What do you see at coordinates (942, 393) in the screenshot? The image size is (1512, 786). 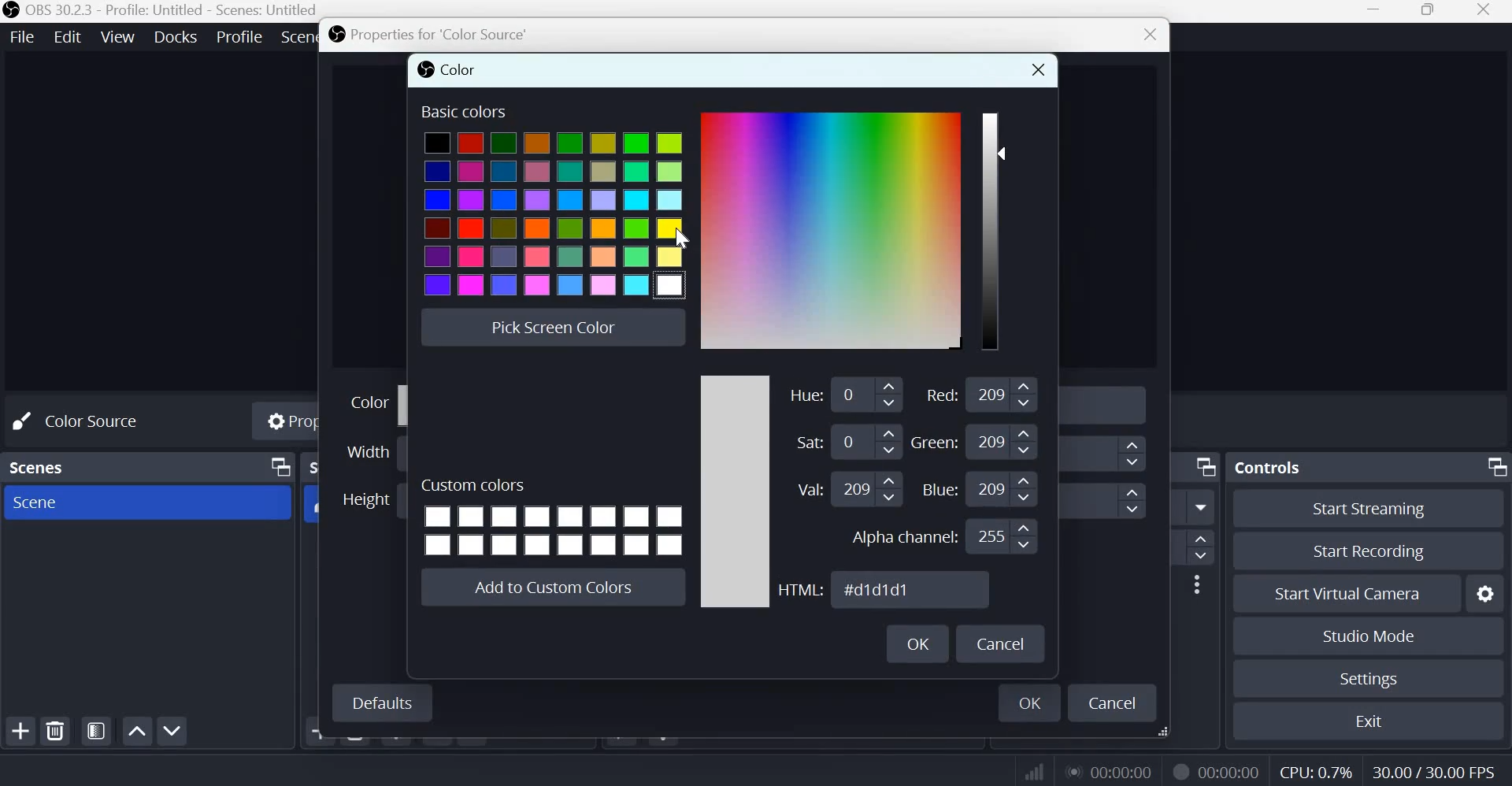 I see `Red` at bounding box center [942, 393].